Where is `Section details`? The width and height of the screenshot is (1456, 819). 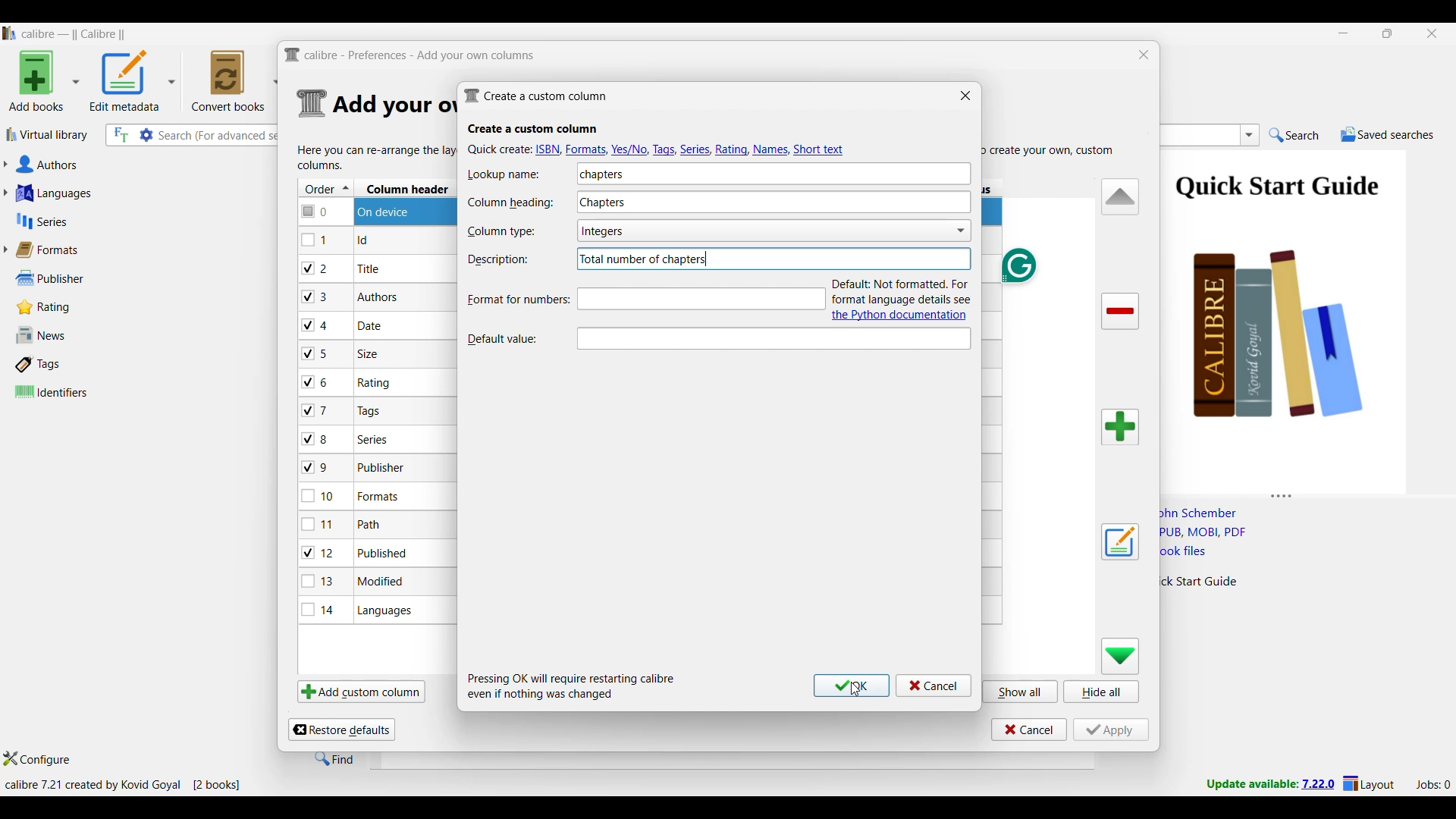 Section details is located at coordinates (392, 105).